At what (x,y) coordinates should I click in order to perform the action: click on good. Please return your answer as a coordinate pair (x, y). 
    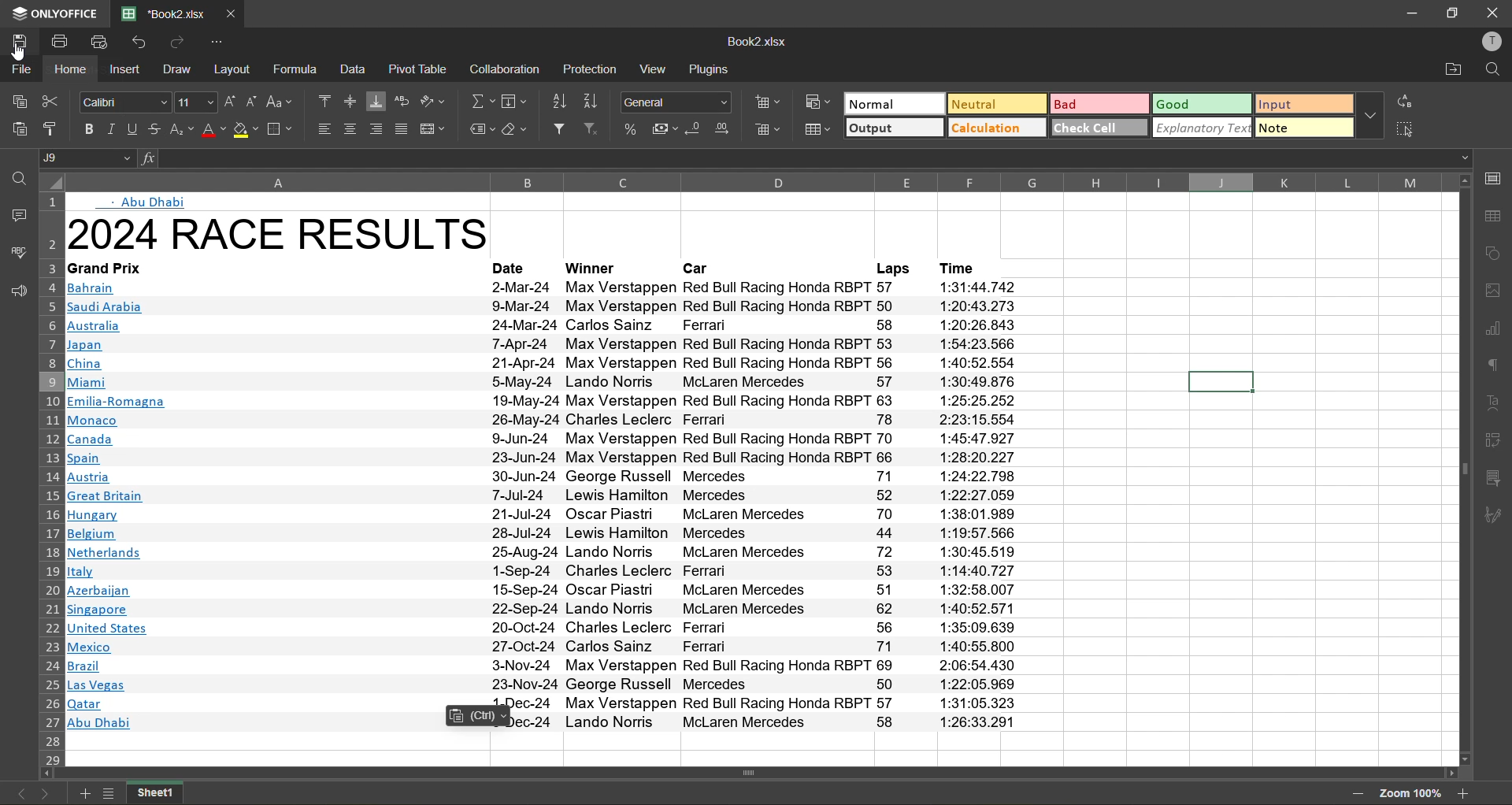
    Looking at the image, I should click on (1205, 104).